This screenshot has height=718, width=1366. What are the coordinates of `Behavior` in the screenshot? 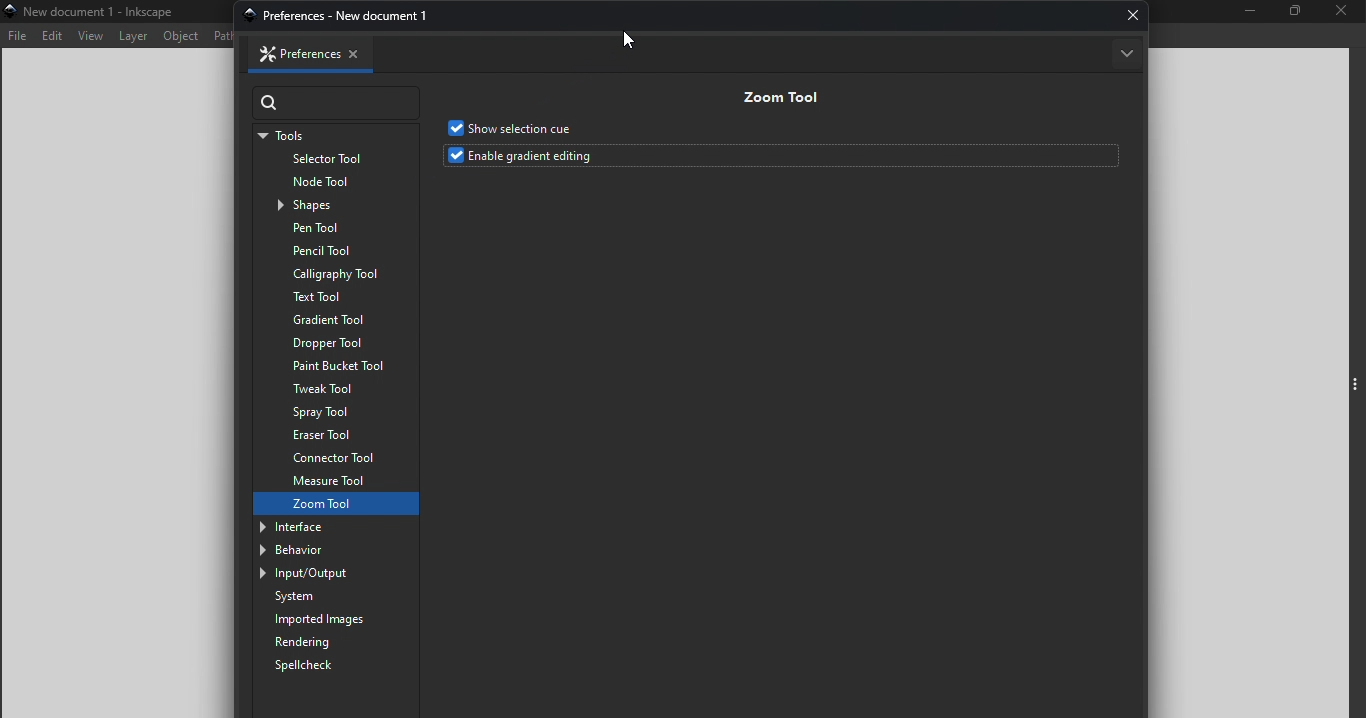 It's located at (311, 548).